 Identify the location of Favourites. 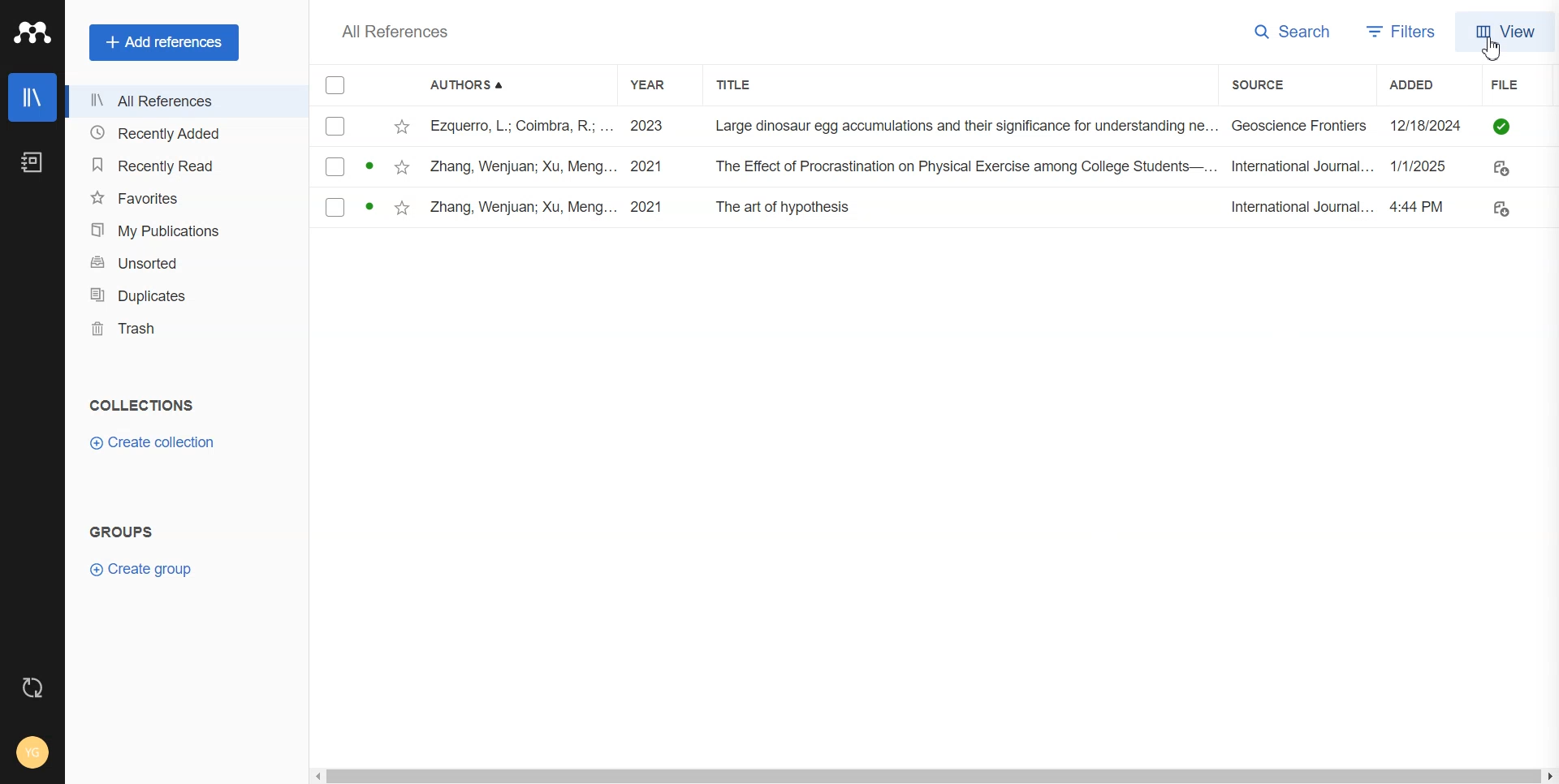
(402, 126).